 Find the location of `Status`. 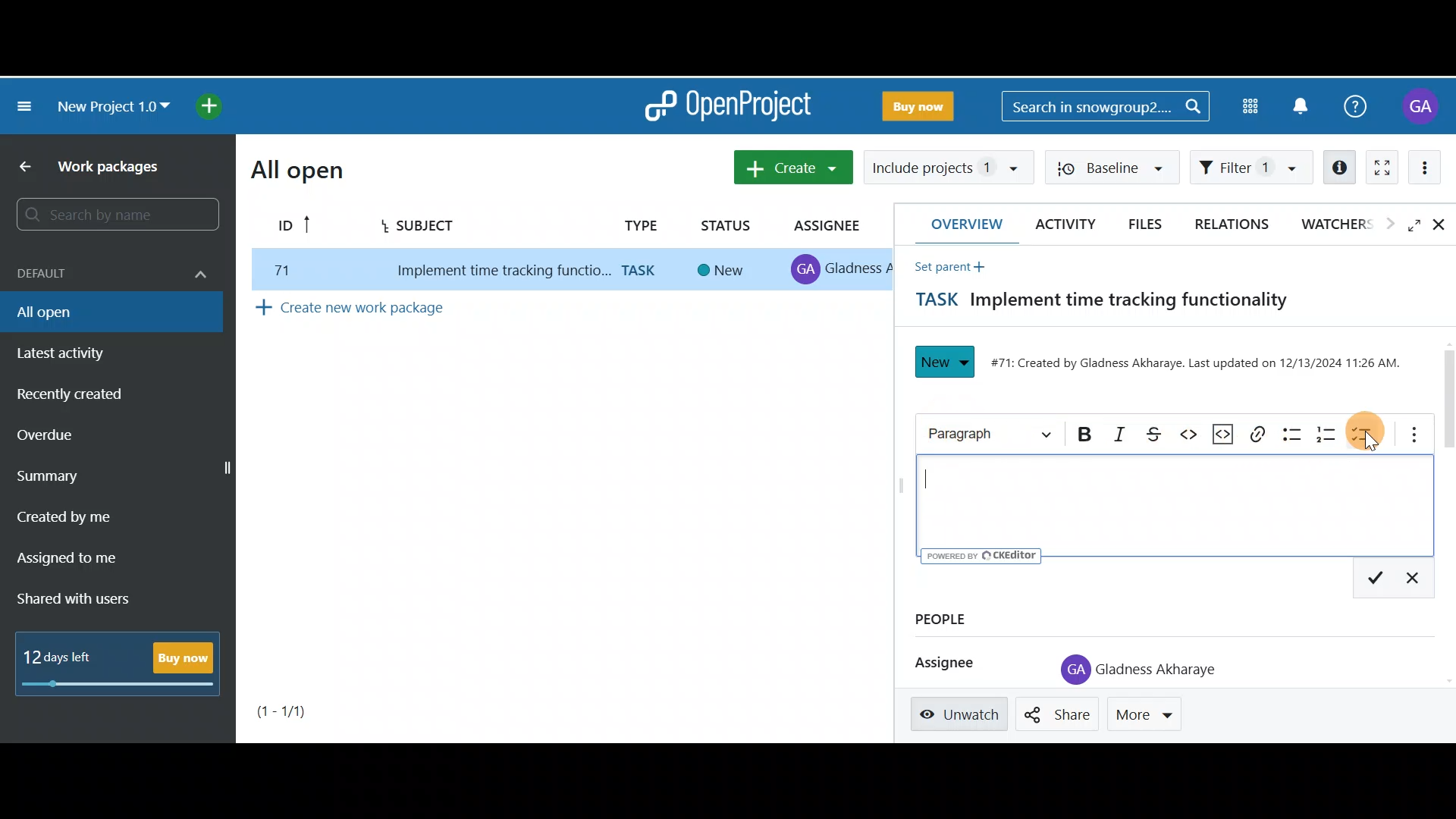

Status is located at coordinates (727, 222).